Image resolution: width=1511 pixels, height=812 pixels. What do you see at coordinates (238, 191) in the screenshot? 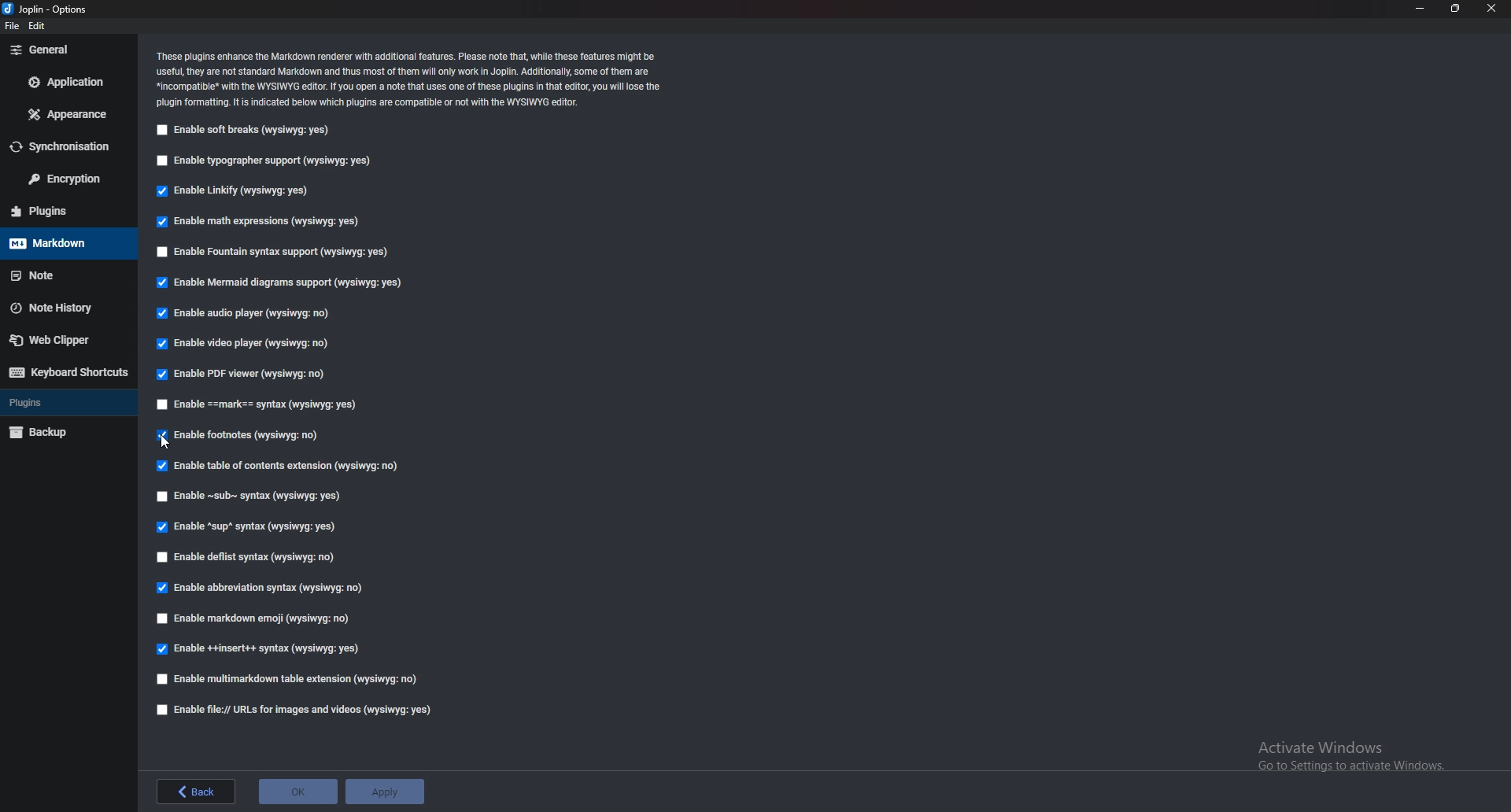
I see `Enable linkify` at bounding box center [238, 191].